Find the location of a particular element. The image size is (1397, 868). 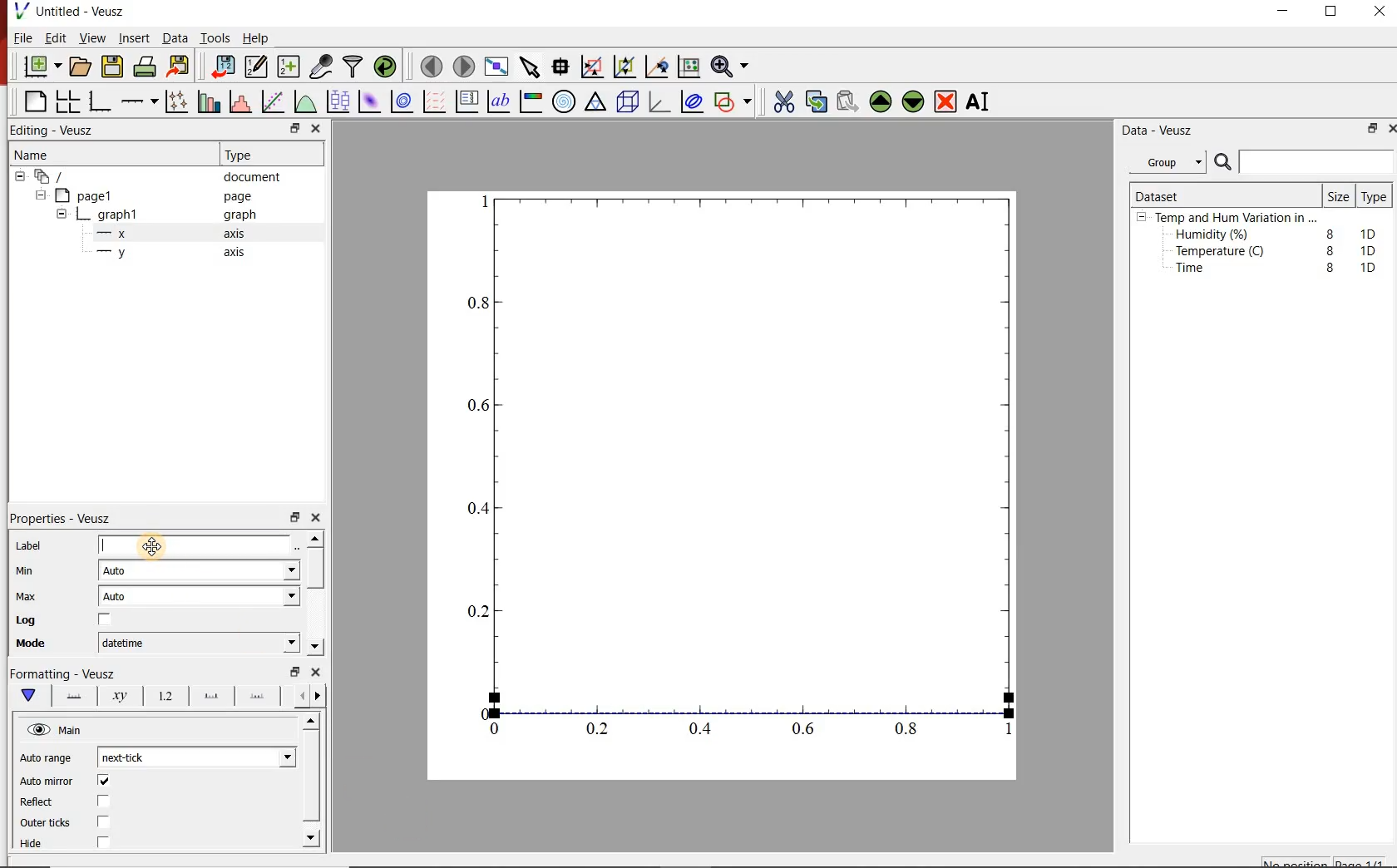

Edit and enter new datasets is located at coordinates (257, 67).